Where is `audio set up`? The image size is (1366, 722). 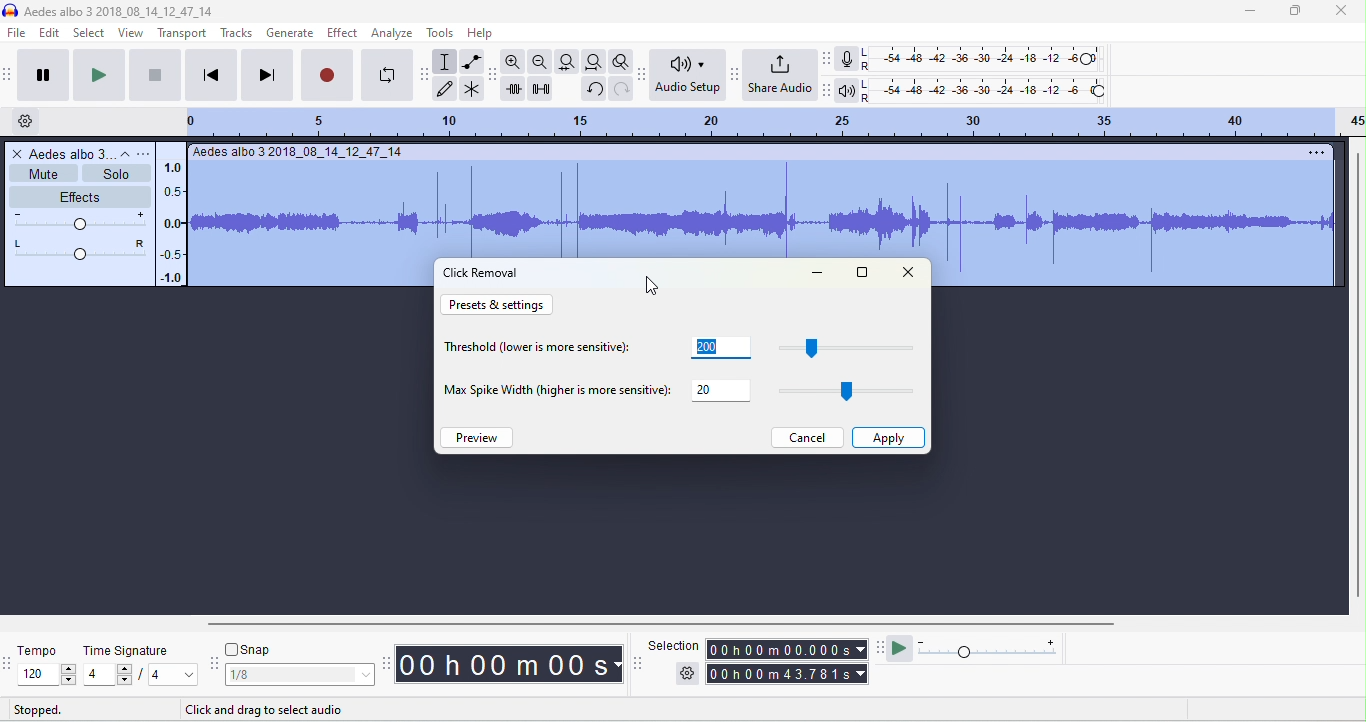 audio set up is located at coordinates (686, 75).